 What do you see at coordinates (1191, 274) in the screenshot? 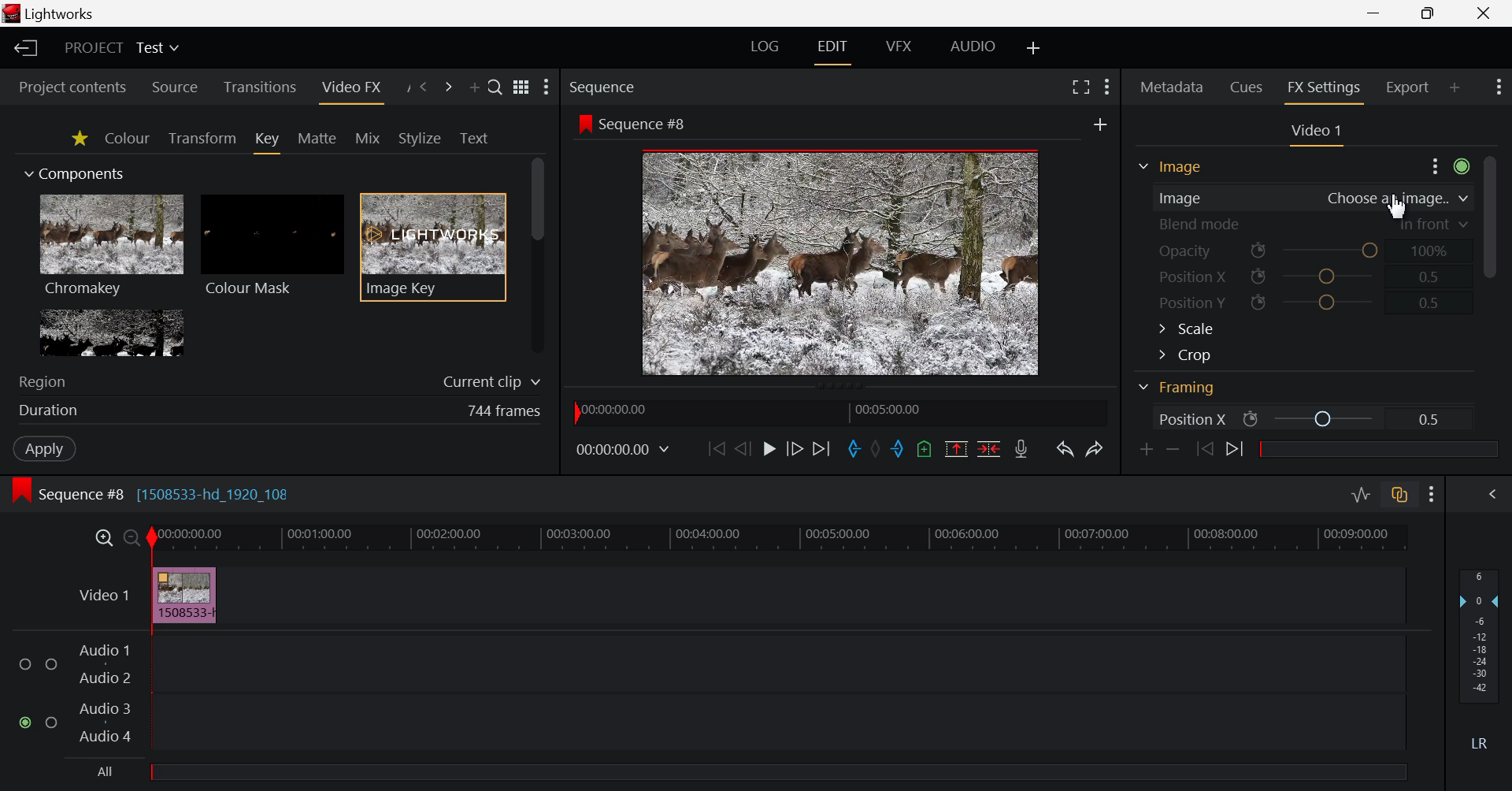
I see `Position X` at bounding box center [1191, 274].